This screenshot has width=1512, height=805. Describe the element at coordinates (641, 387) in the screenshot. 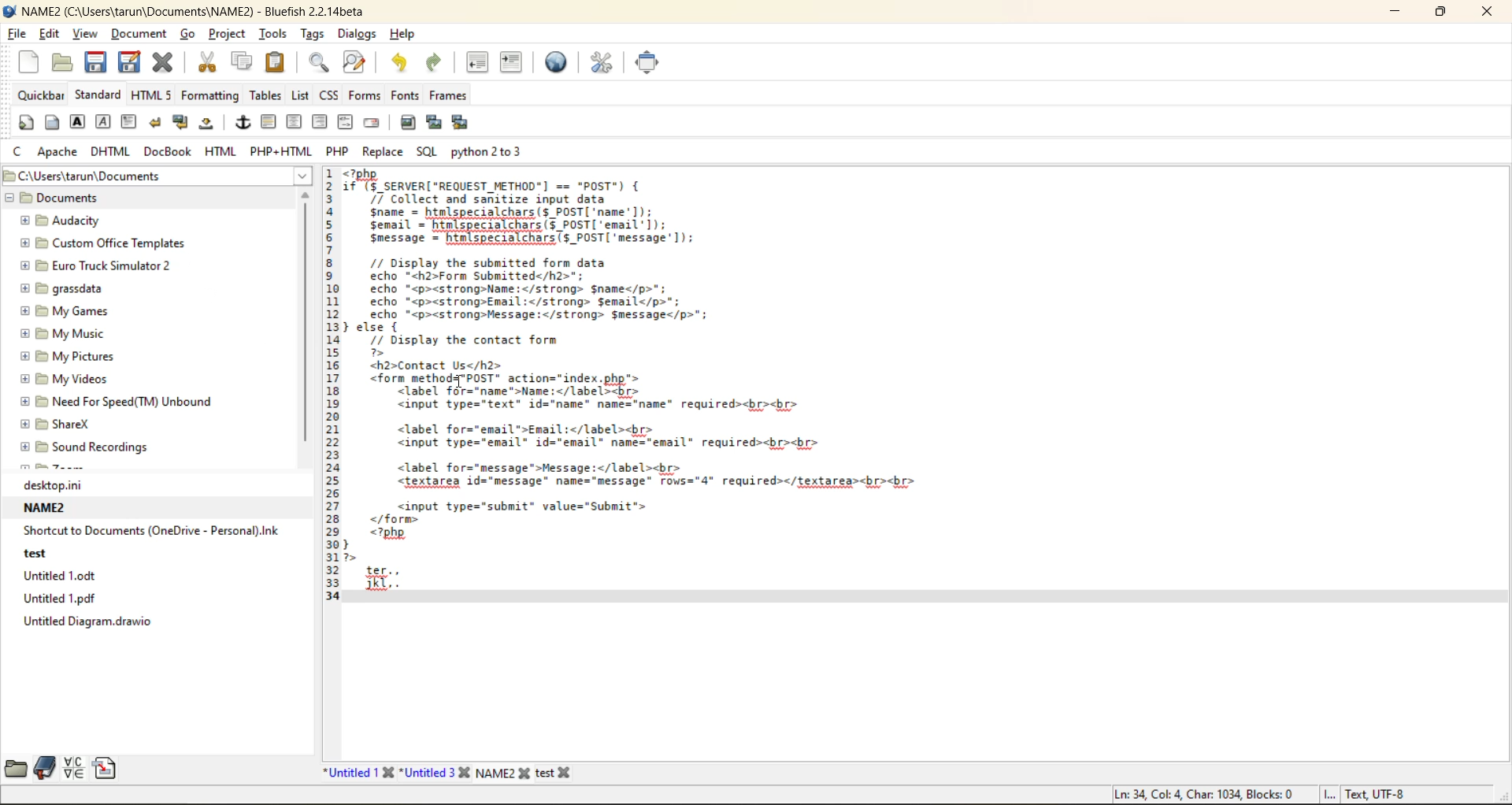

I see `code editor` at that location.